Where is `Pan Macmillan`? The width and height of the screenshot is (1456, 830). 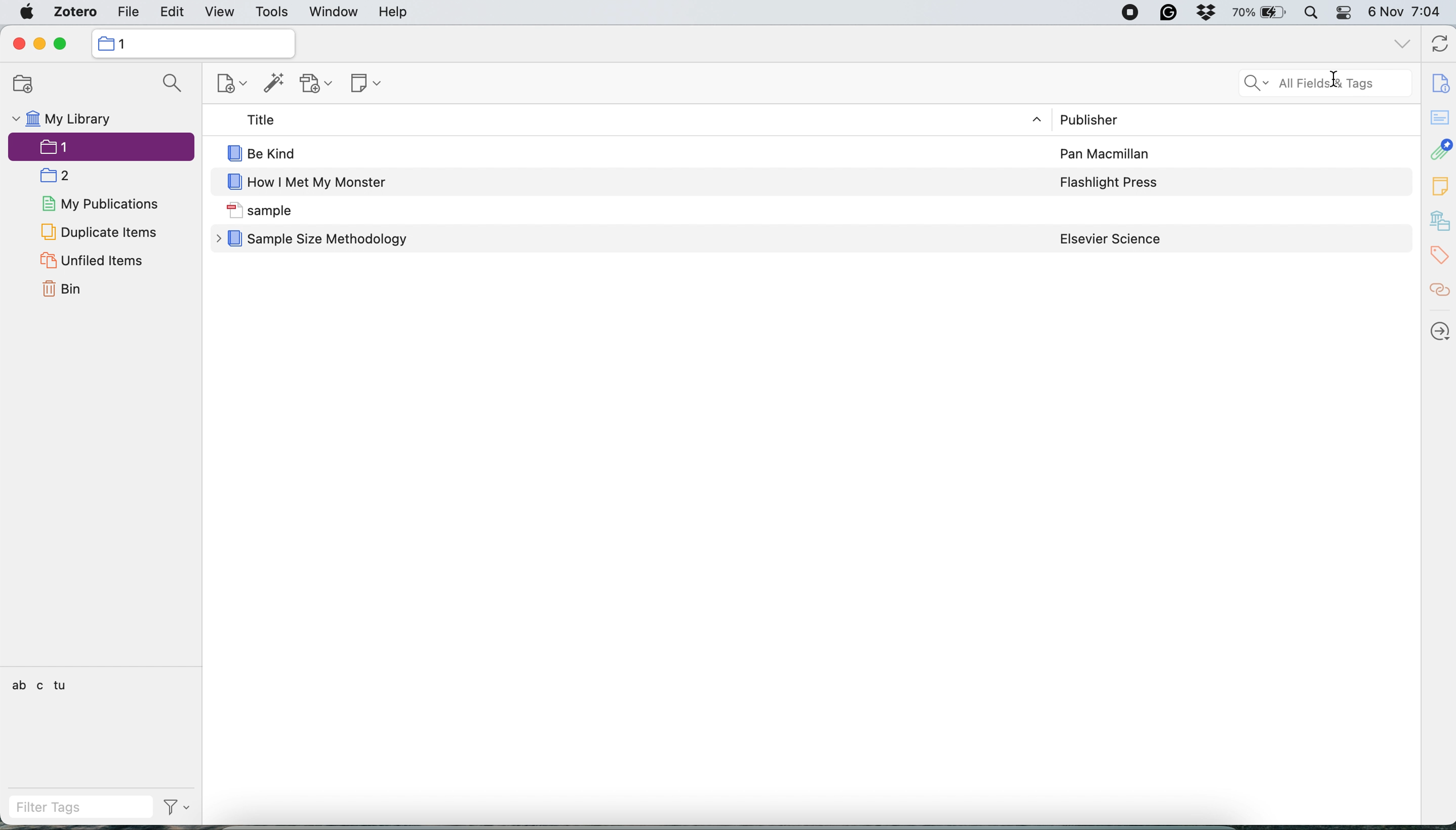
Pan Macmillan is located at coordinates (1106, 154).